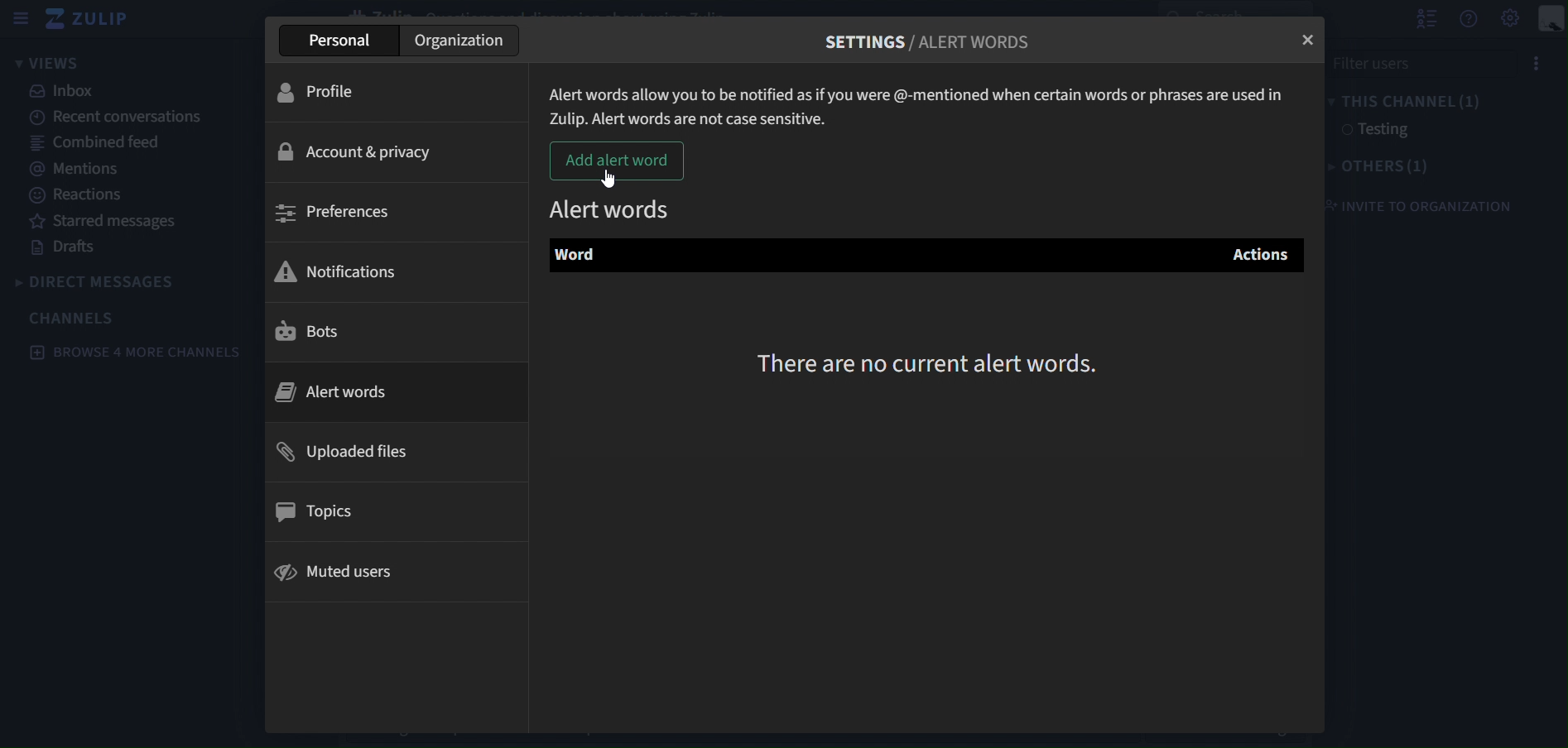 The width and height of the screenshot is (1568, 748). Describe the element at coordinates (81, 170) in the screenshot. I see `mentions` at that location.